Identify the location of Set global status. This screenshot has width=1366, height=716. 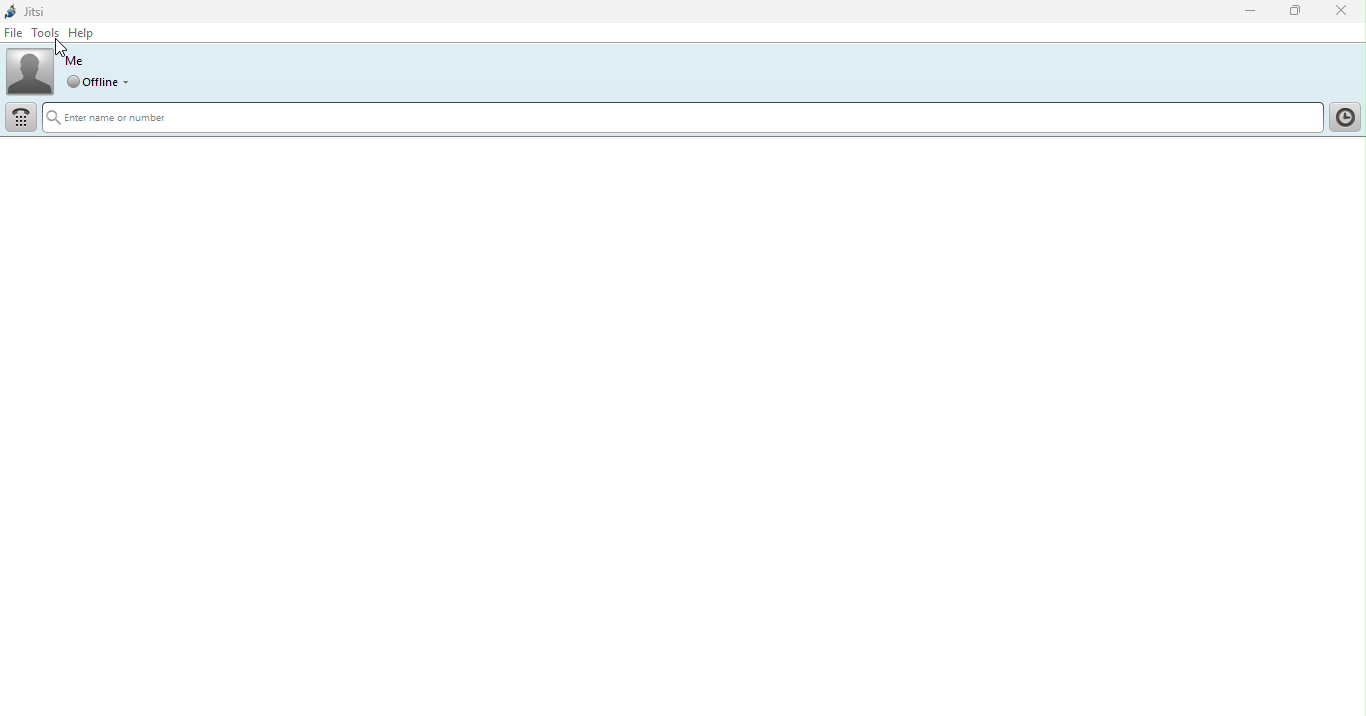
(106, 84).